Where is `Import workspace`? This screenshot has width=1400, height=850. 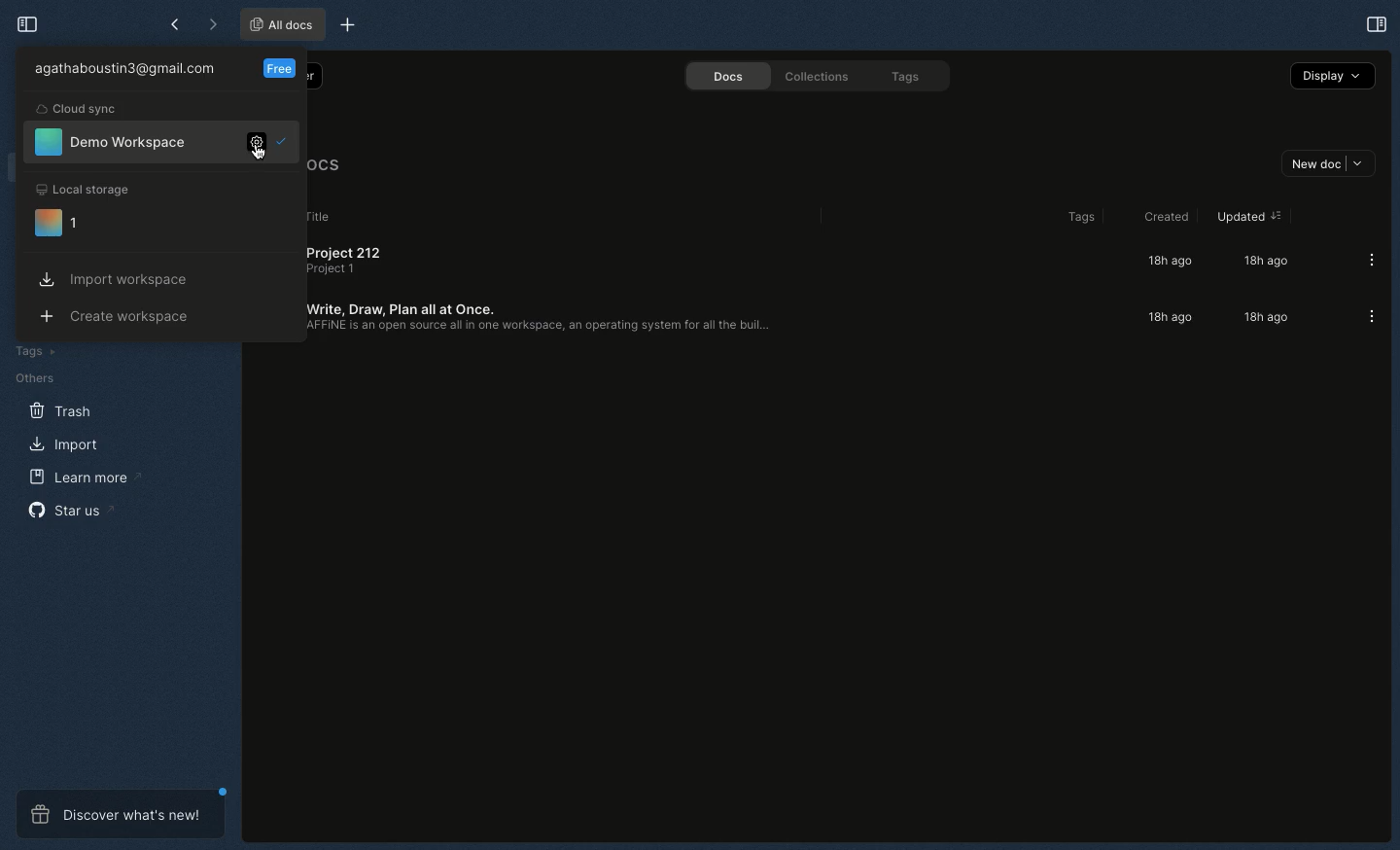 Import workspace is located at coordinates (120, 280).